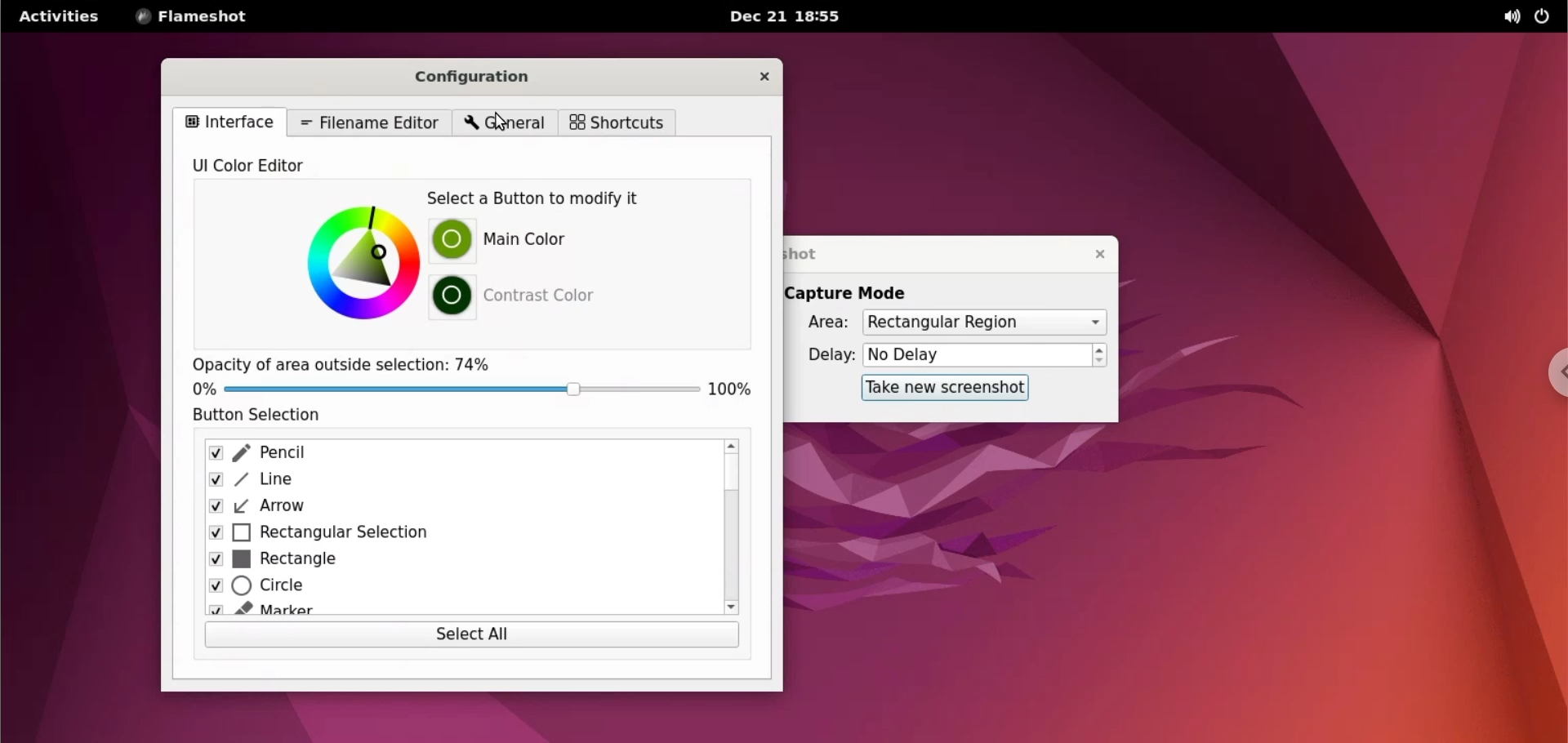  Describe the element at coordinates (471, 636) in the screenshot. I see `select all` at that location.